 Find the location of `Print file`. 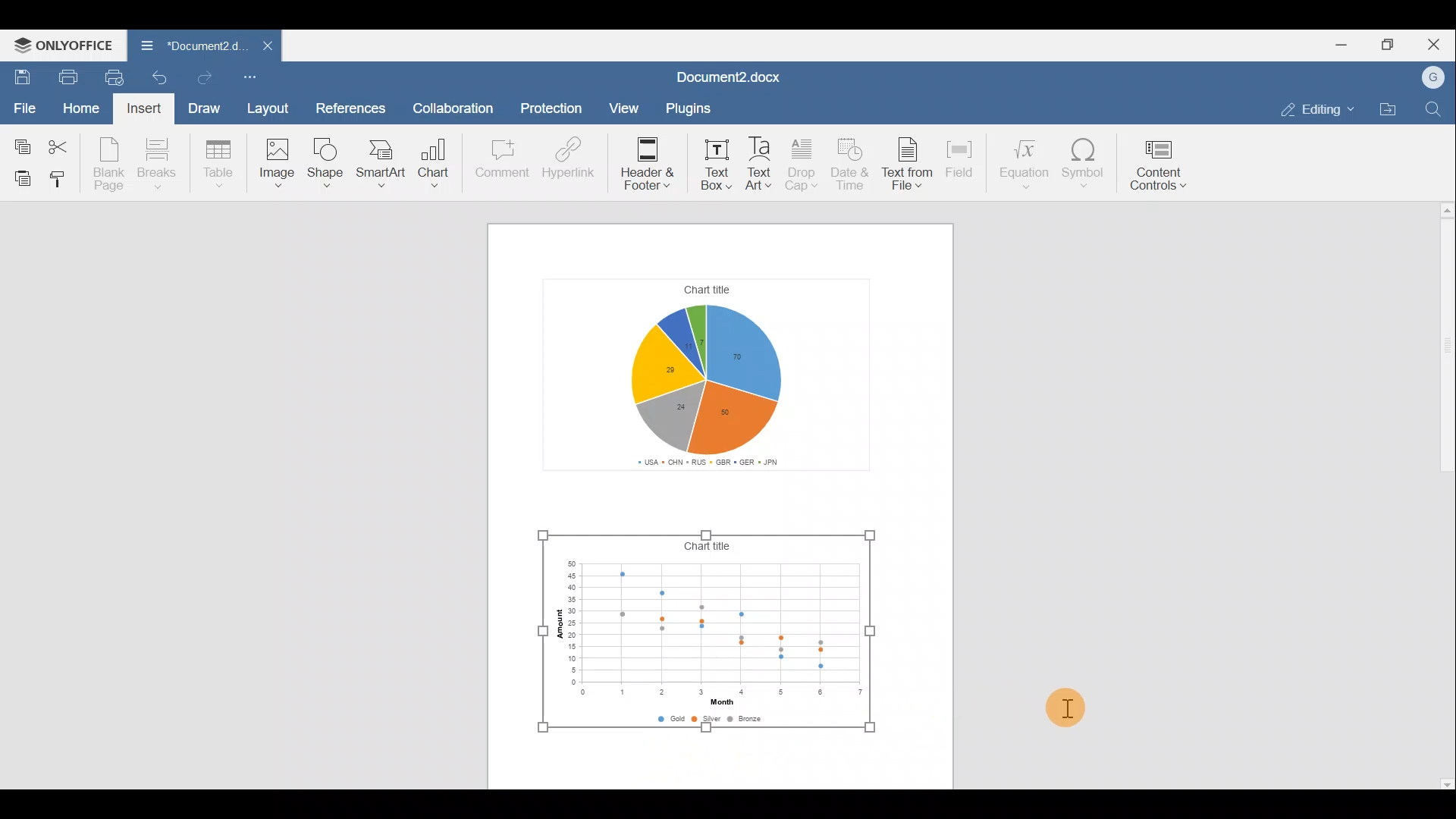

Print file is located at coordinates (62, 76).